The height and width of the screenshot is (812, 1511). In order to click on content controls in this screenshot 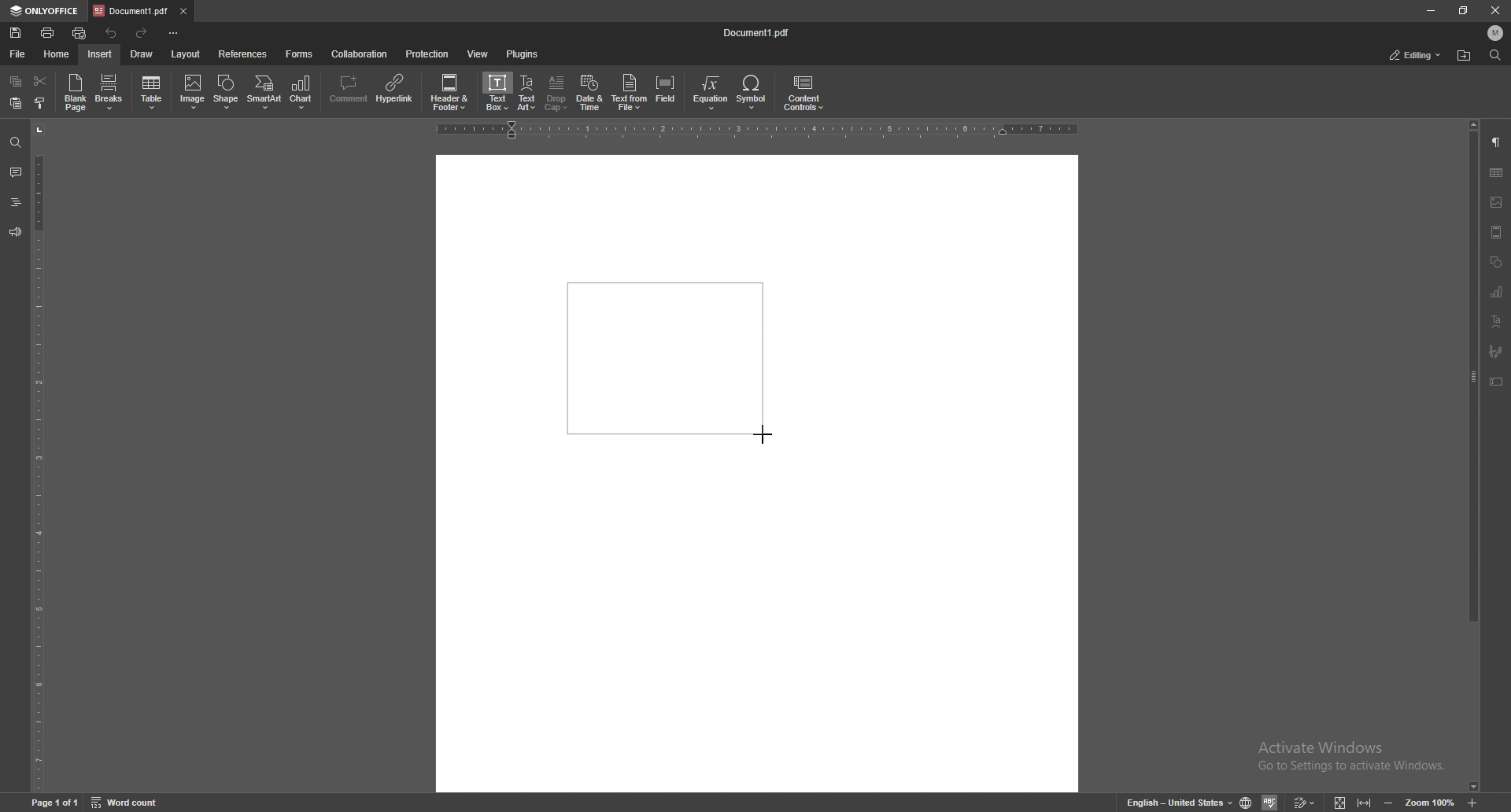, I will do `click(803, 94)`.